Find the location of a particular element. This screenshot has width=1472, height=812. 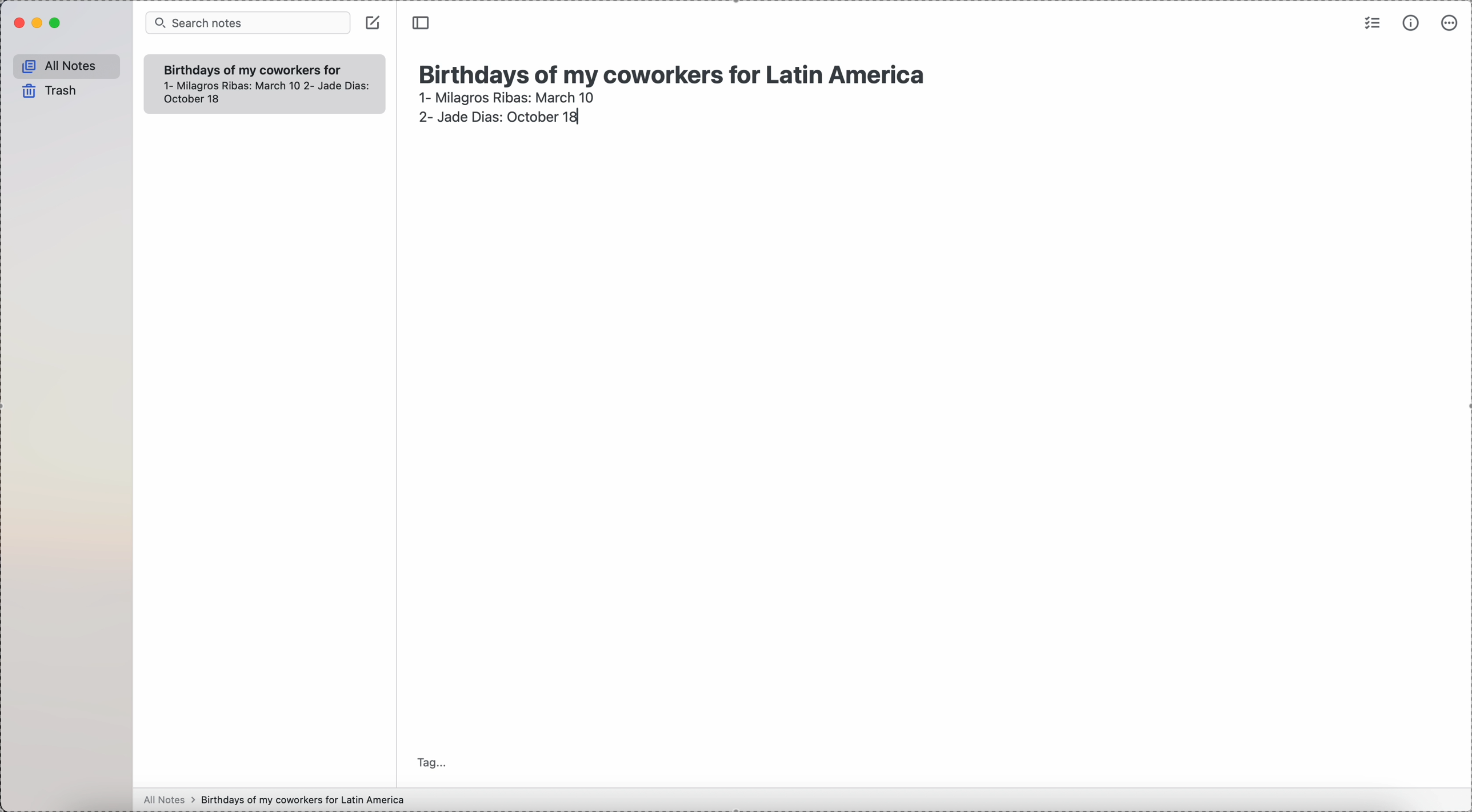

metrics is located at coordinates (1413, 22).